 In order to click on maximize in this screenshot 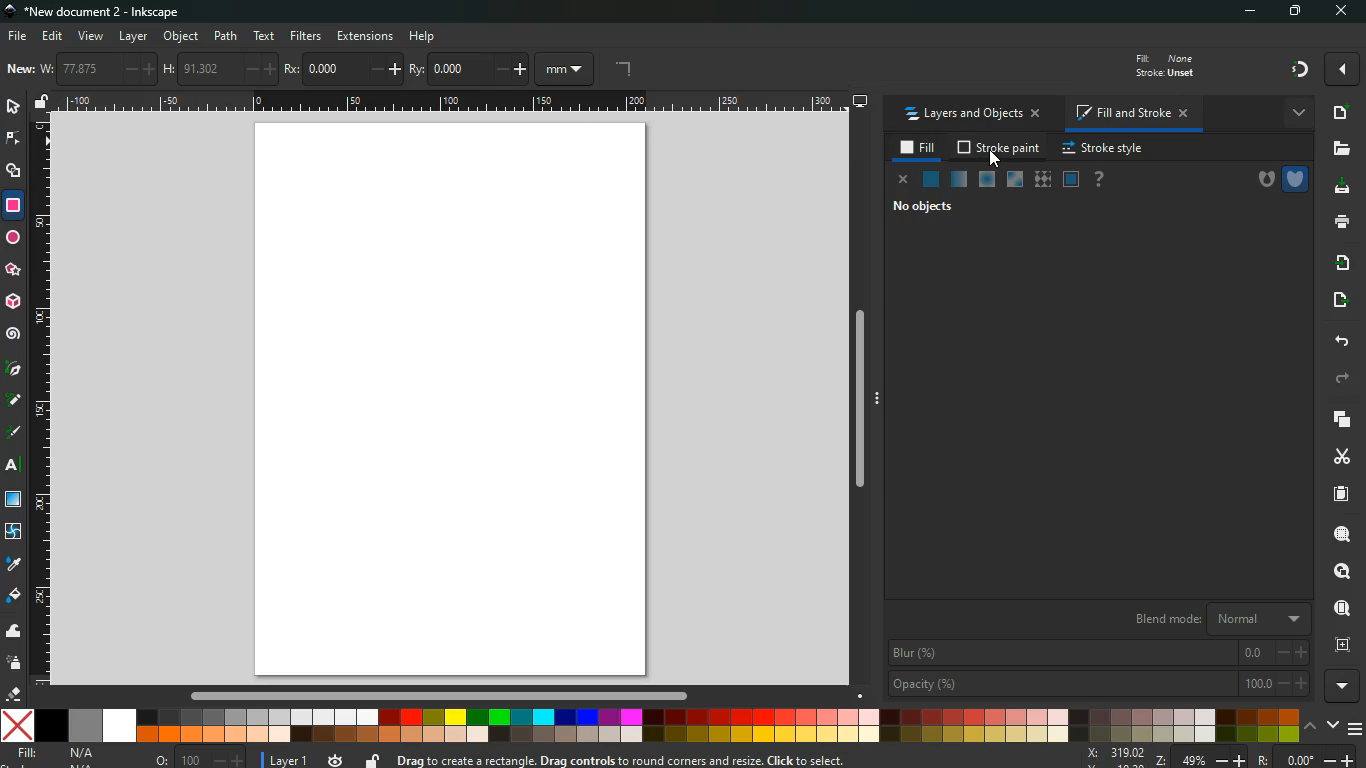, I will do `click(1295, 13)`.